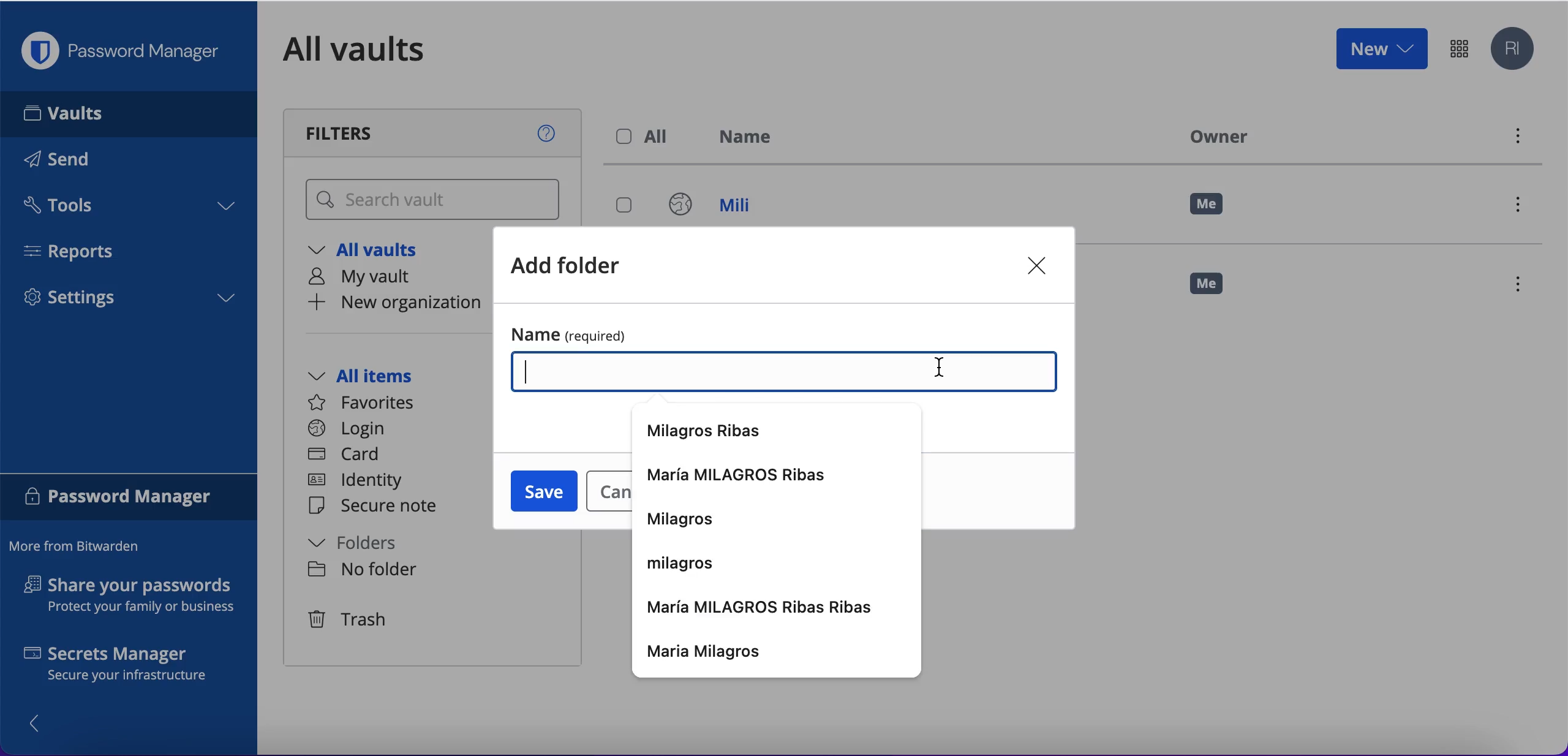 This screenshot has width=1568, height=756. Describe the element at coordinates (1215, 136) in the screenshot. I see `owner` at that location.